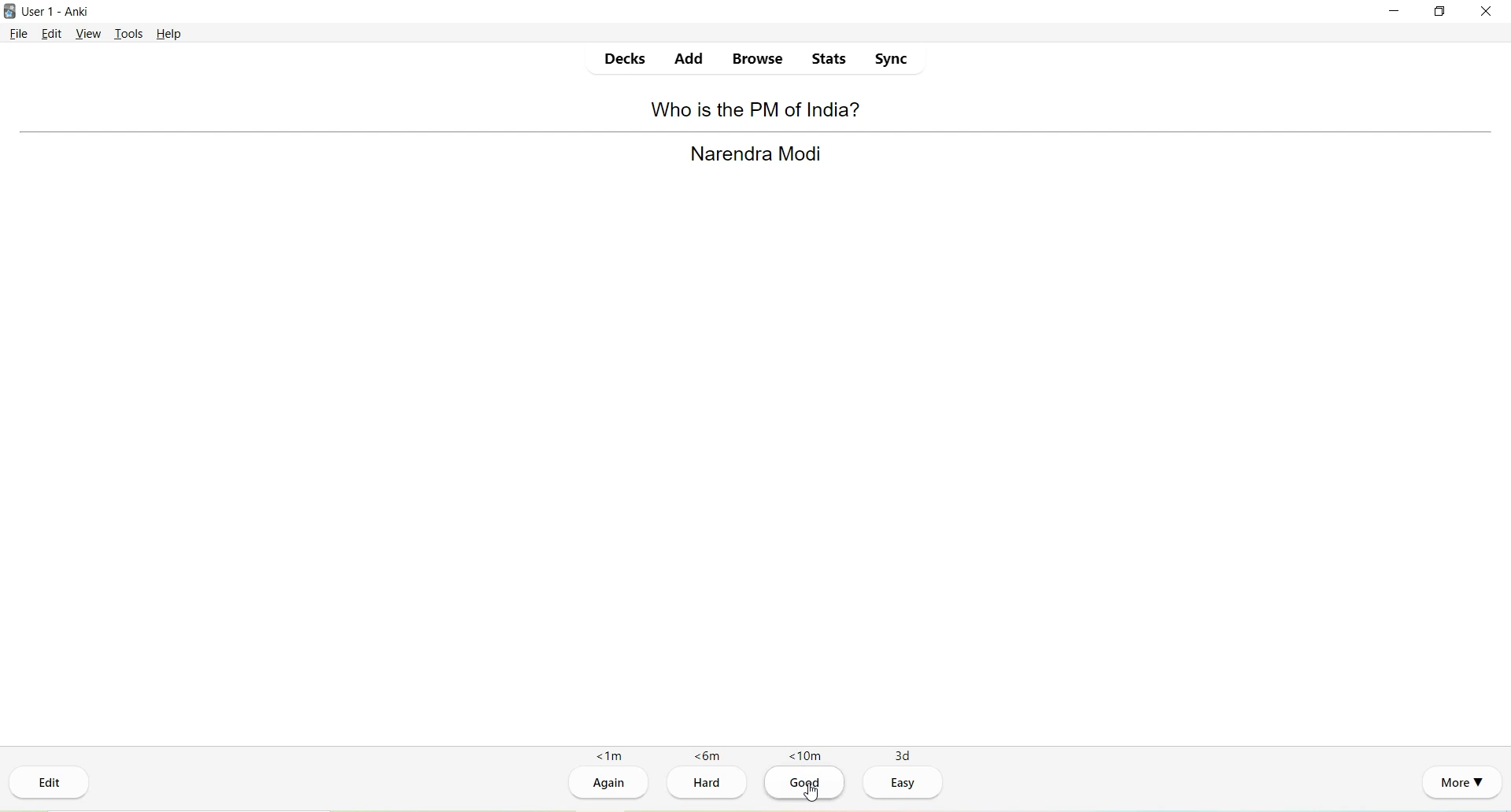  I want to click on Logo, so click(9, 12).